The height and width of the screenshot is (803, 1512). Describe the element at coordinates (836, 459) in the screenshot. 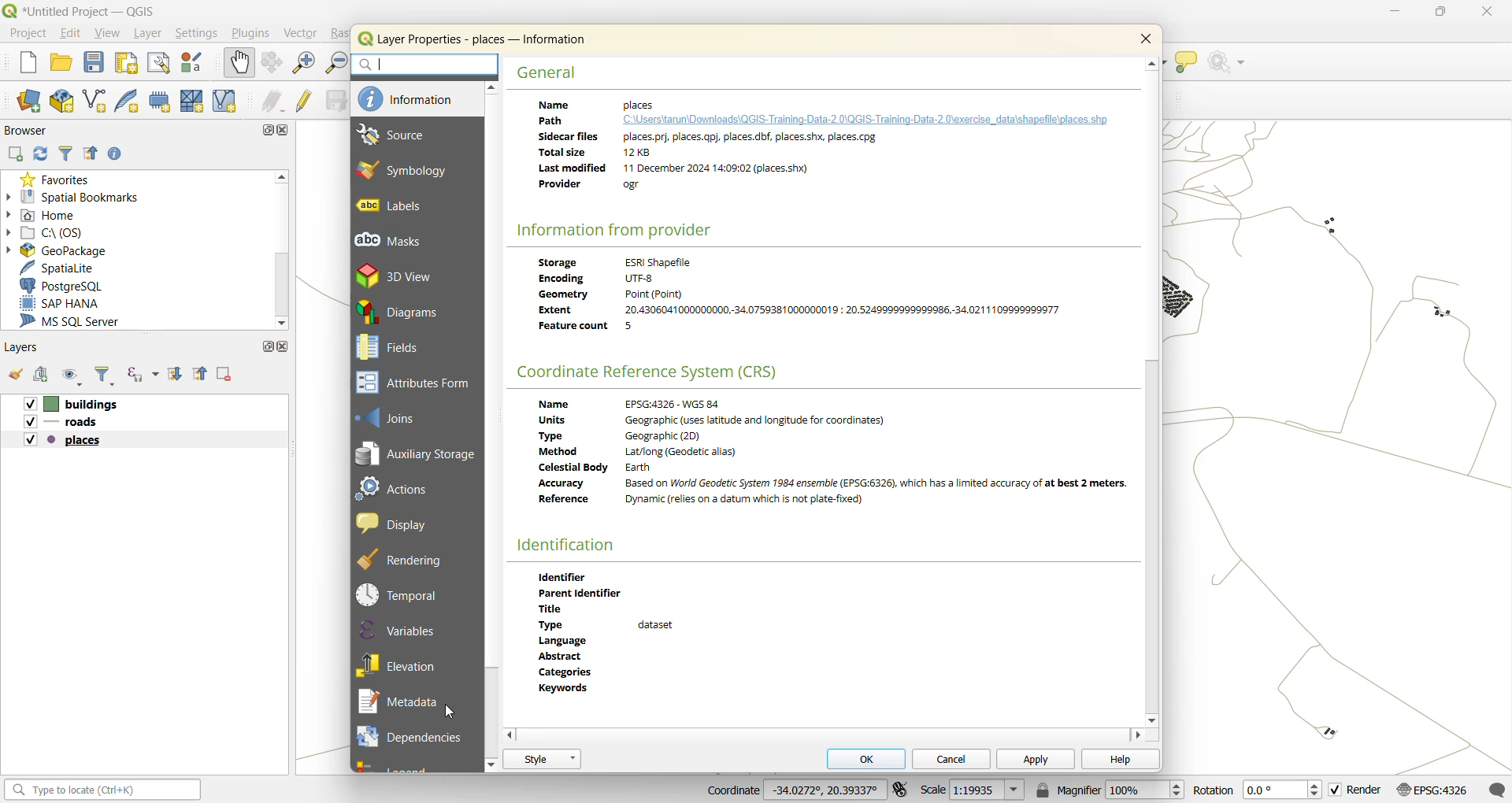

I see `crs metadata` at that location.